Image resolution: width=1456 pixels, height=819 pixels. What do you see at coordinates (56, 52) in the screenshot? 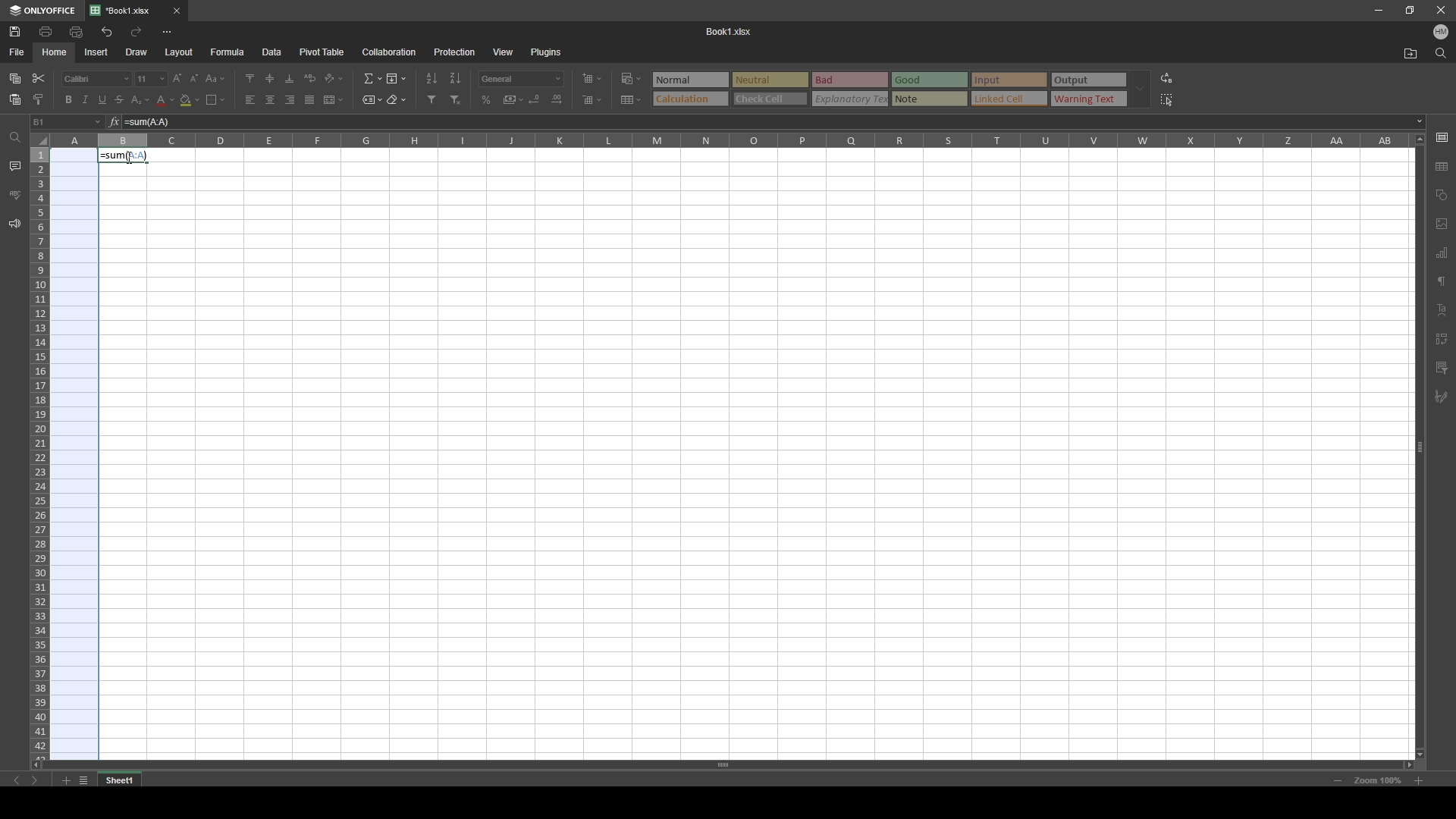
I see `home` at bounding box center [56, 52].